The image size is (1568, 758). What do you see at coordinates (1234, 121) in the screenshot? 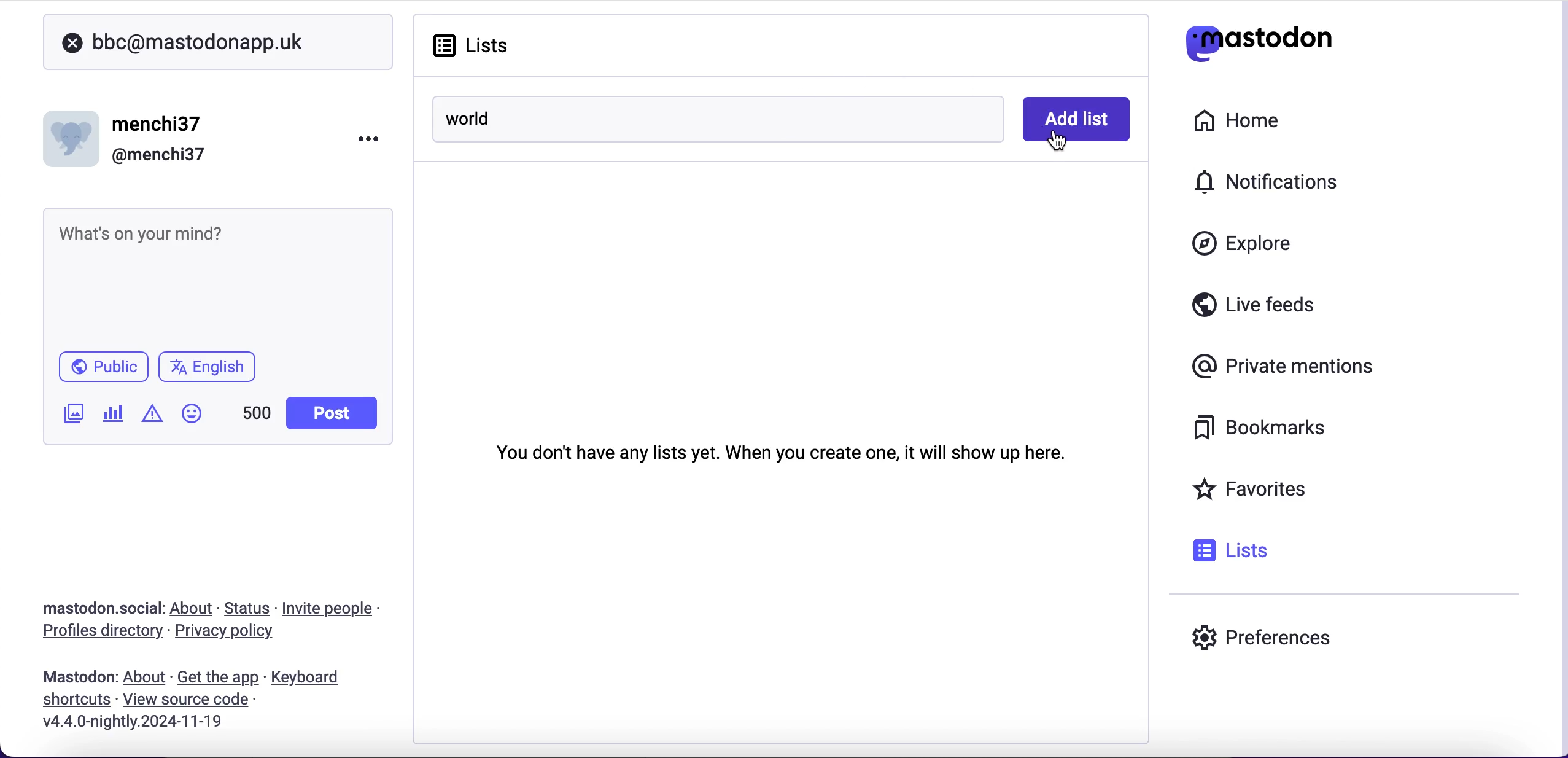
I see `home` at bounding box center [1234, 121].